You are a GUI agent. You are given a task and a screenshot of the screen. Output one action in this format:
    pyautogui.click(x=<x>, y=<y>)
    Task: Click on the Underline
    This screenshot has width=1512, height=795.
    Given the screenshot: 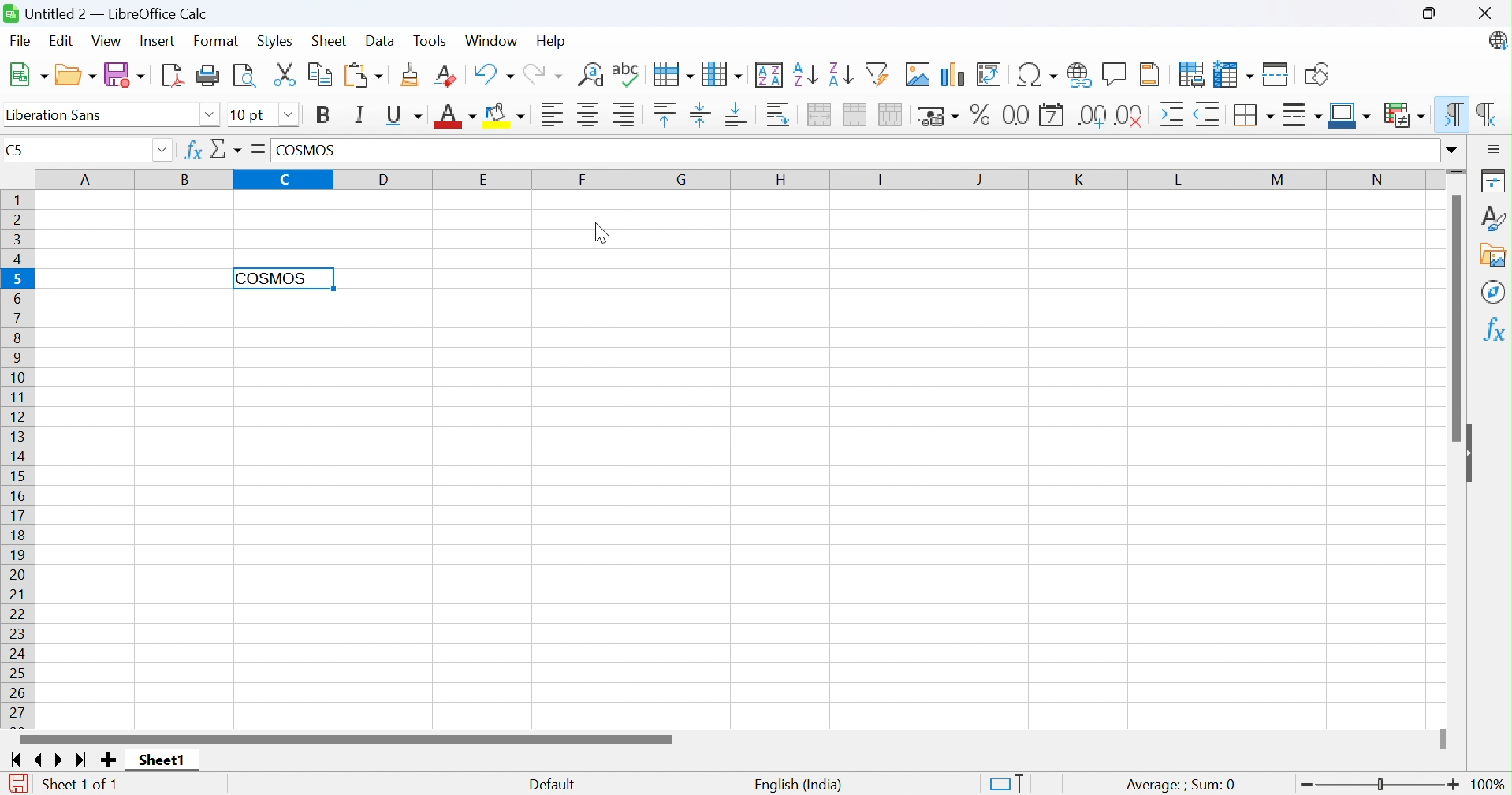 What is the action you would take?
    pyautogui.click(x=402, y=116)
    